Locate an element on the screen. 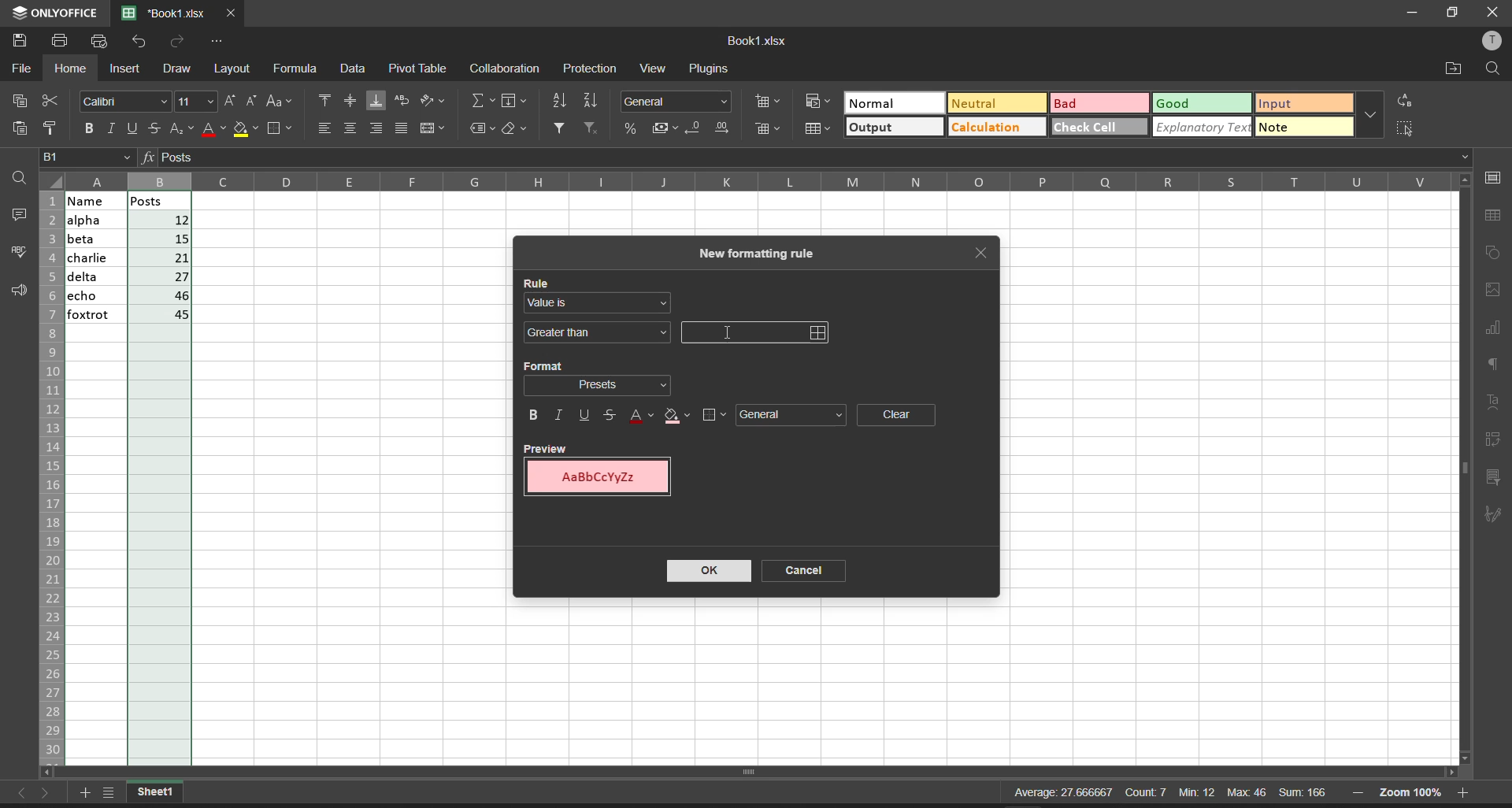 This screenshot has height=808, width=1512. close is located at coordinates (1496, 12).